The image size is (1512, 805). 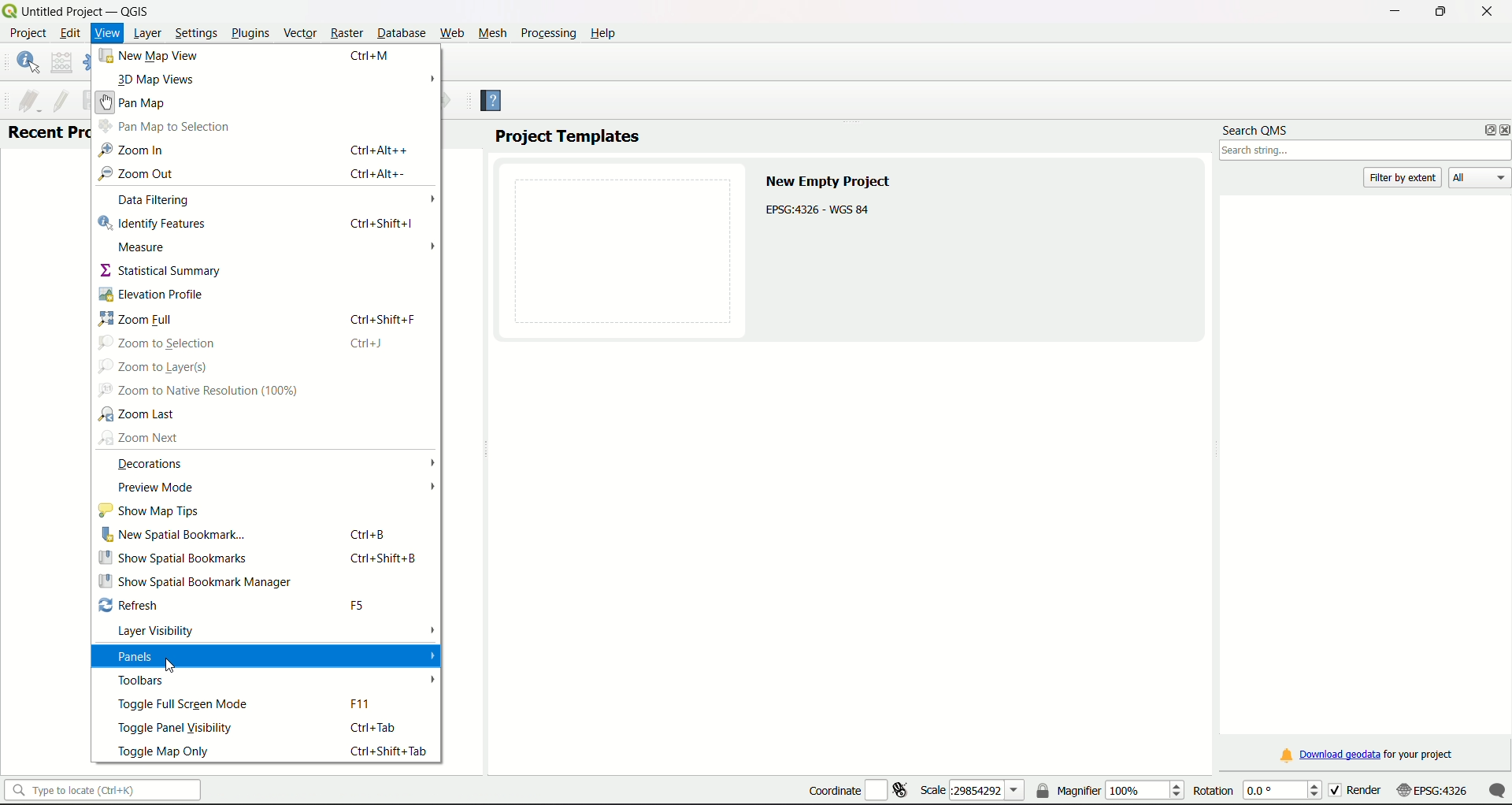 I want to click on arrows, so click(x=432, y=669).